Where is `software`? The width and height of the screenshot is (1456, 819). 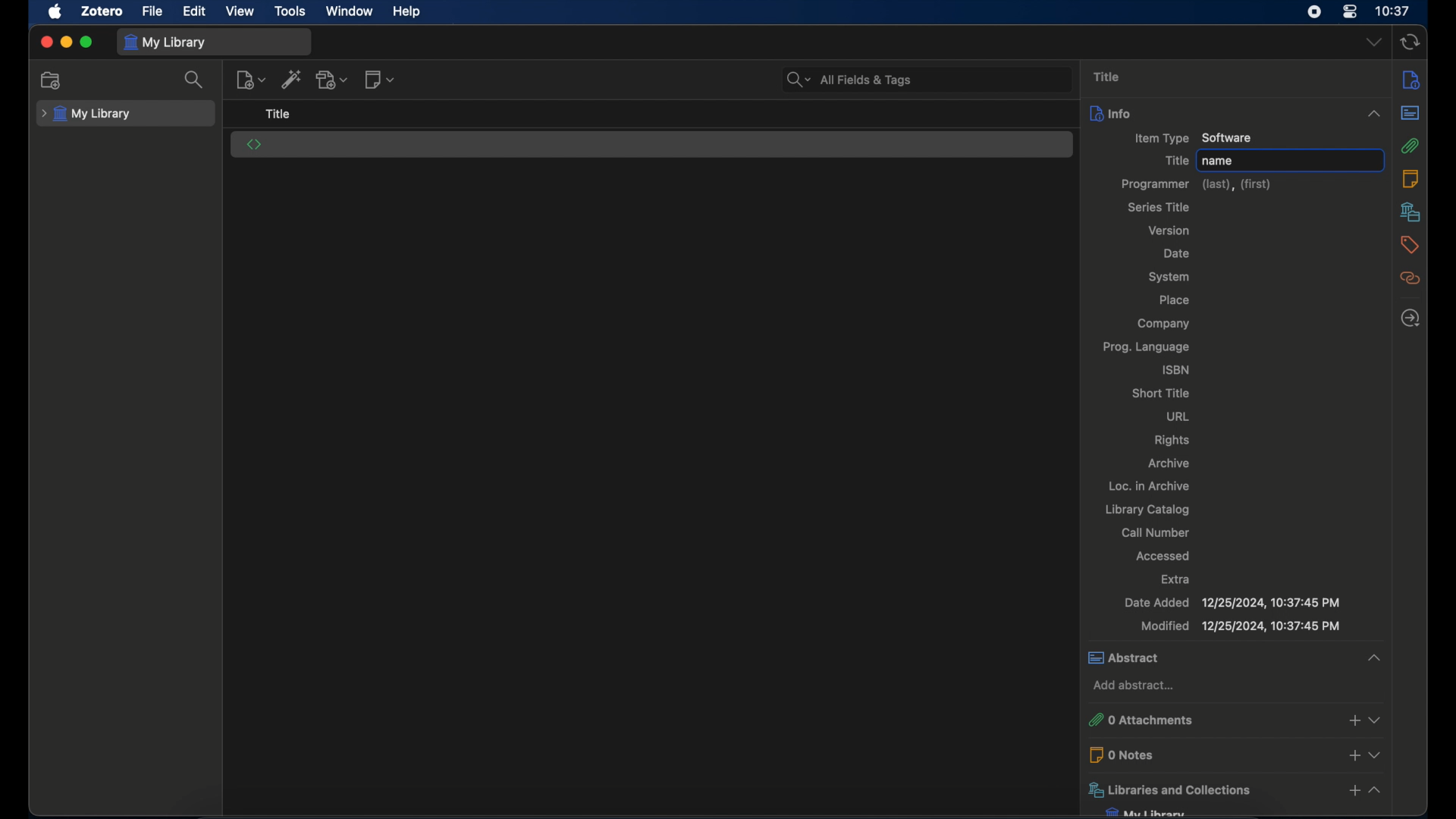
software is located at coordinates (254, 144).